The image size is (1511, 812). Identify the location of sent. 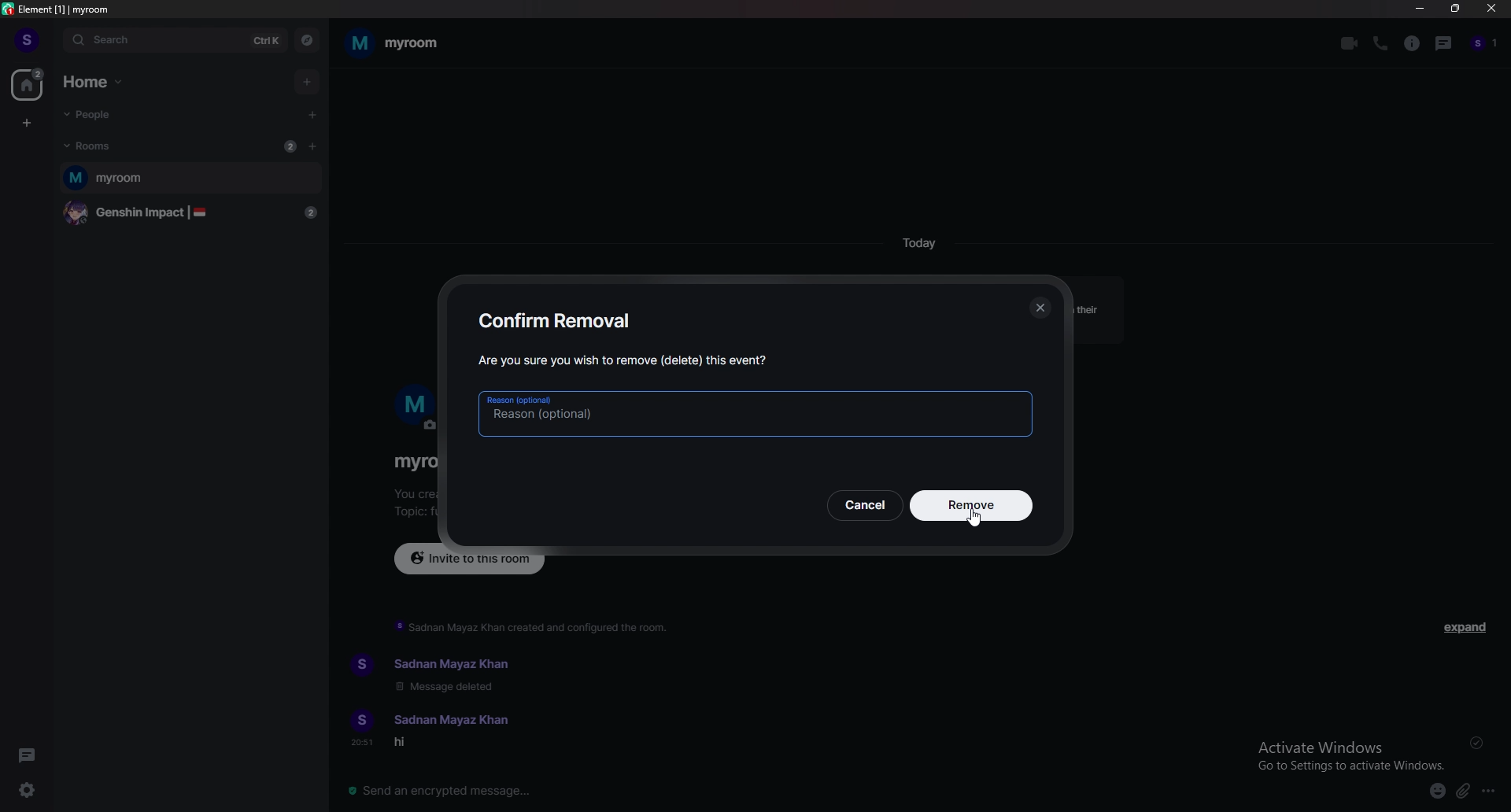
(1476, 742).